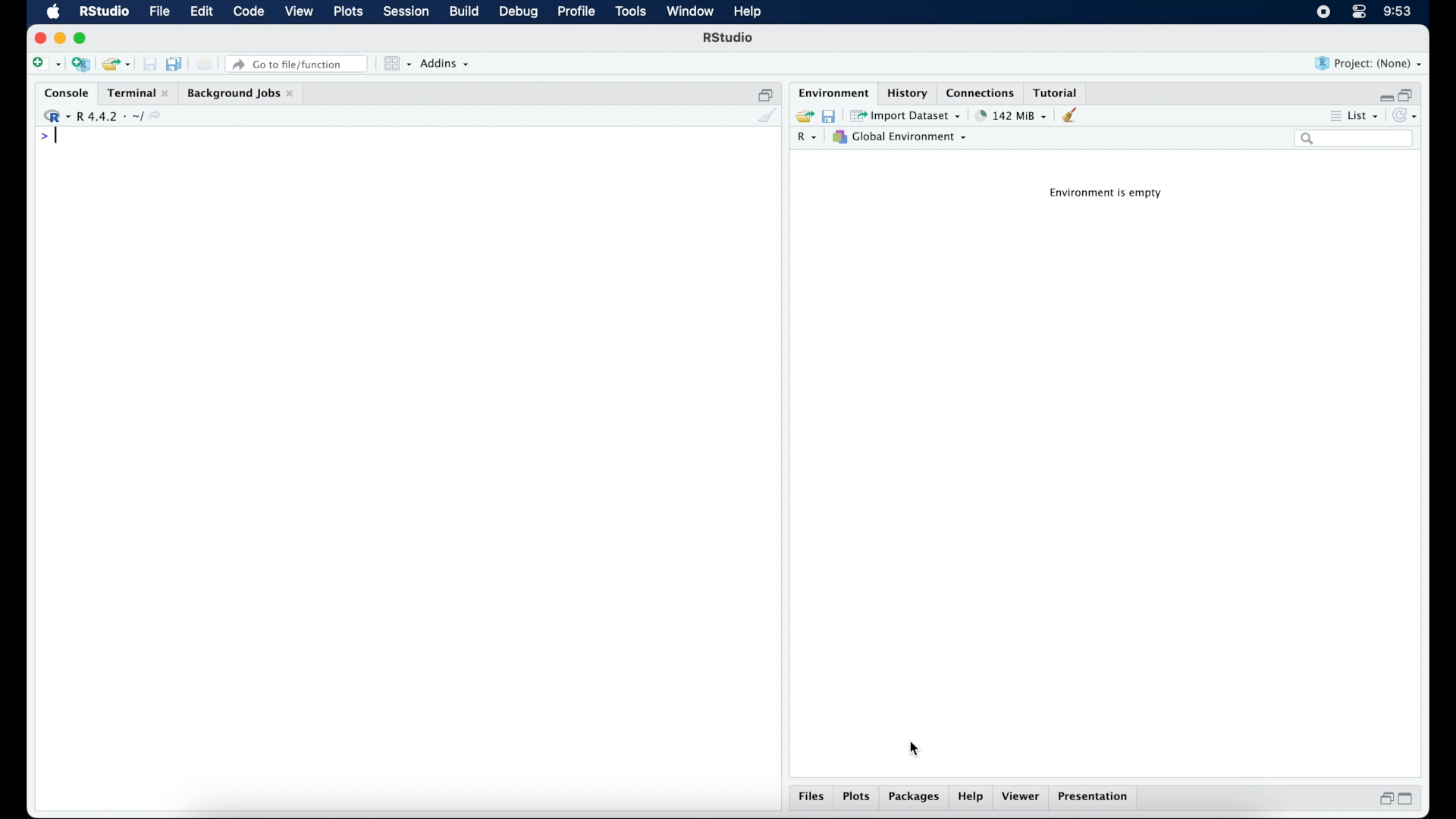 The height and width of the screenshot is (819, 1456). I want to click on presentation, so click(1097, 798).